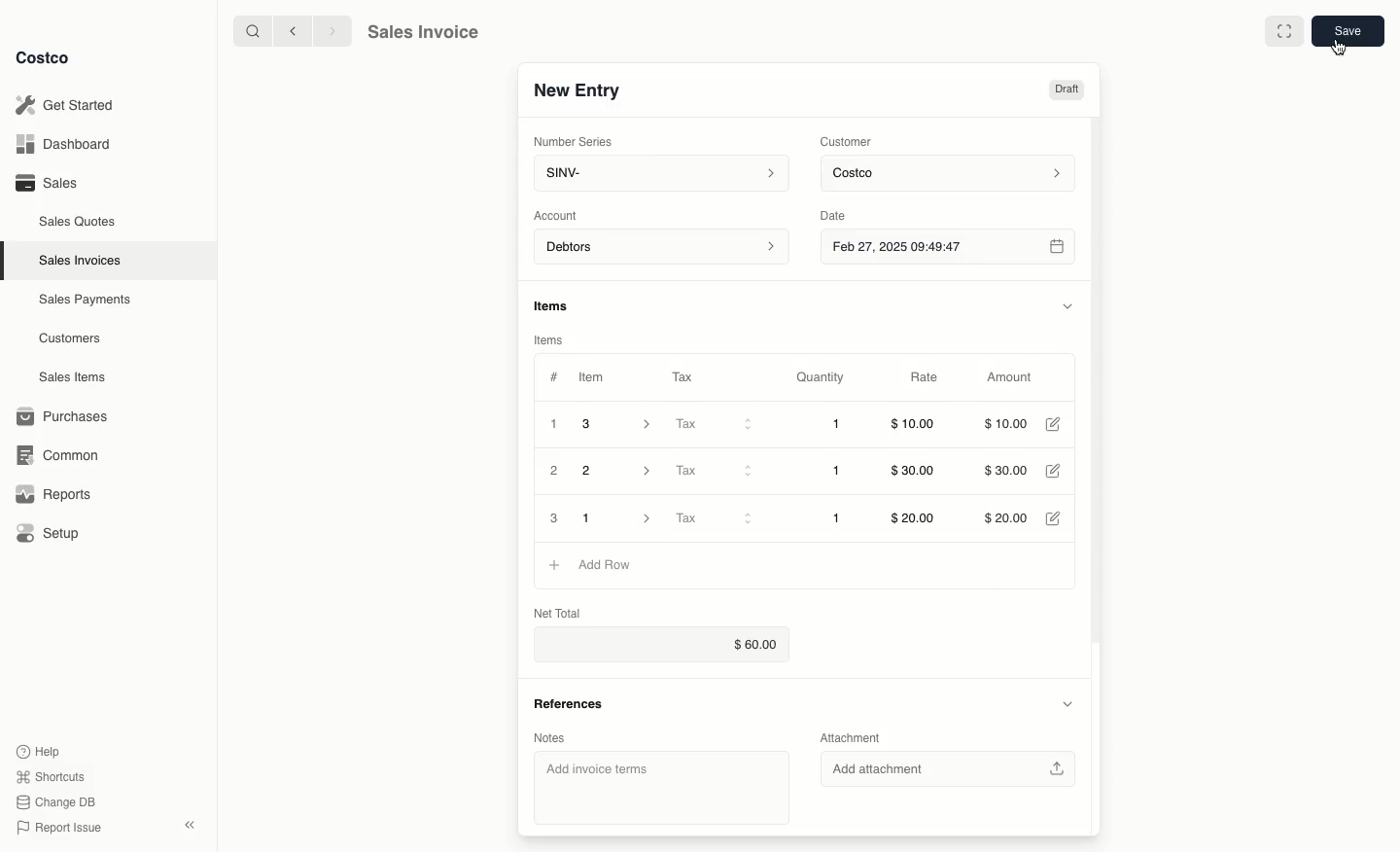  What do you see at coordinates (951, 174) in the screenshot?
I see `Costco` at bounding box center [951, 174].